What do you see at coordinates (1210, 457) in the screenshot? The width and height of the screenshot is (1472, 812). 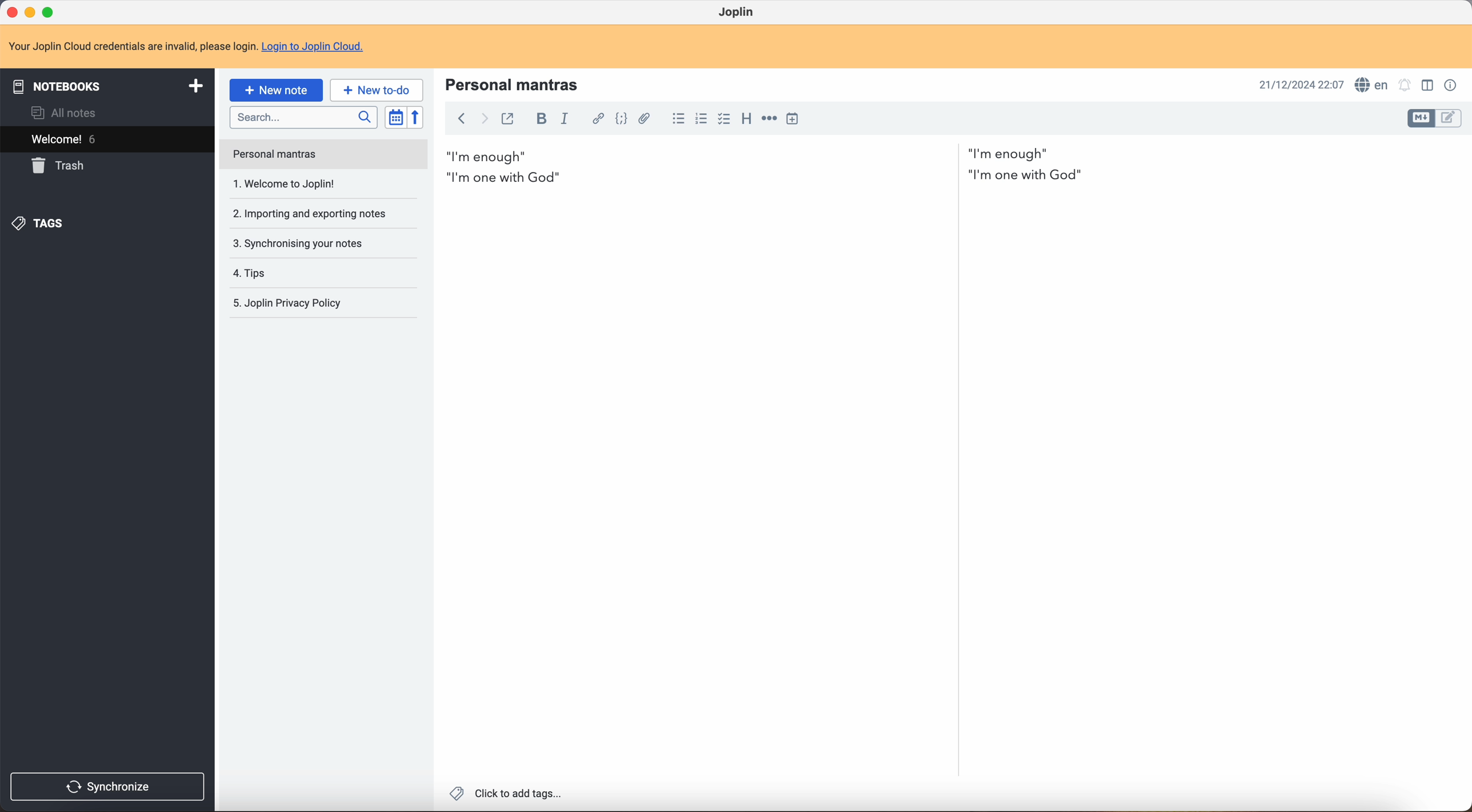 I see `body text` at bounding box center [1210, 457].